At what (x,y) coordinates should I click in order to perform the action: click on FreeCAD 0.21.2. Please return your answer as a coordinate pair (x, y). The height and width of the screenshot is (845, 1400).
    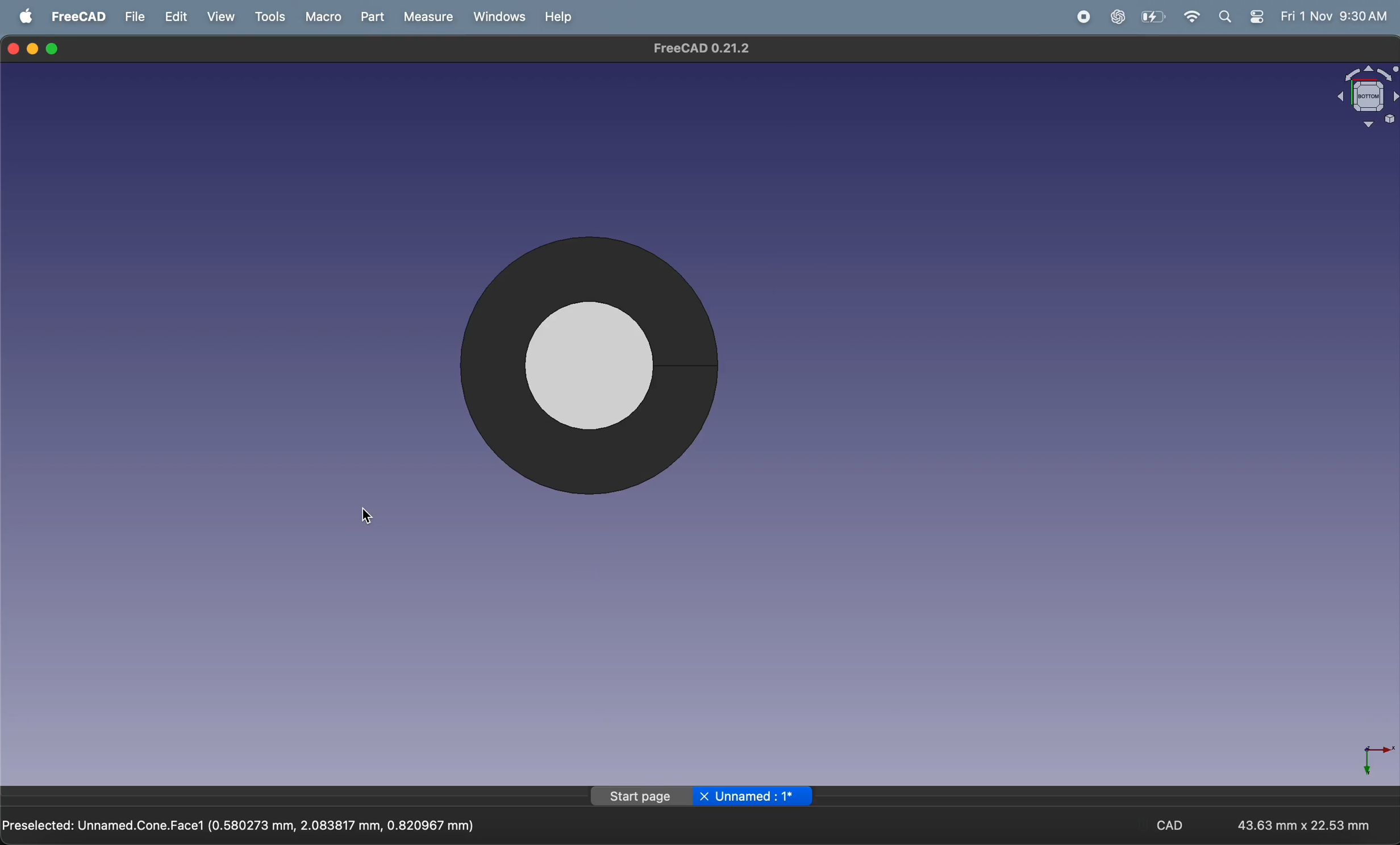
    Looking at the image, I should click on (698, 48).